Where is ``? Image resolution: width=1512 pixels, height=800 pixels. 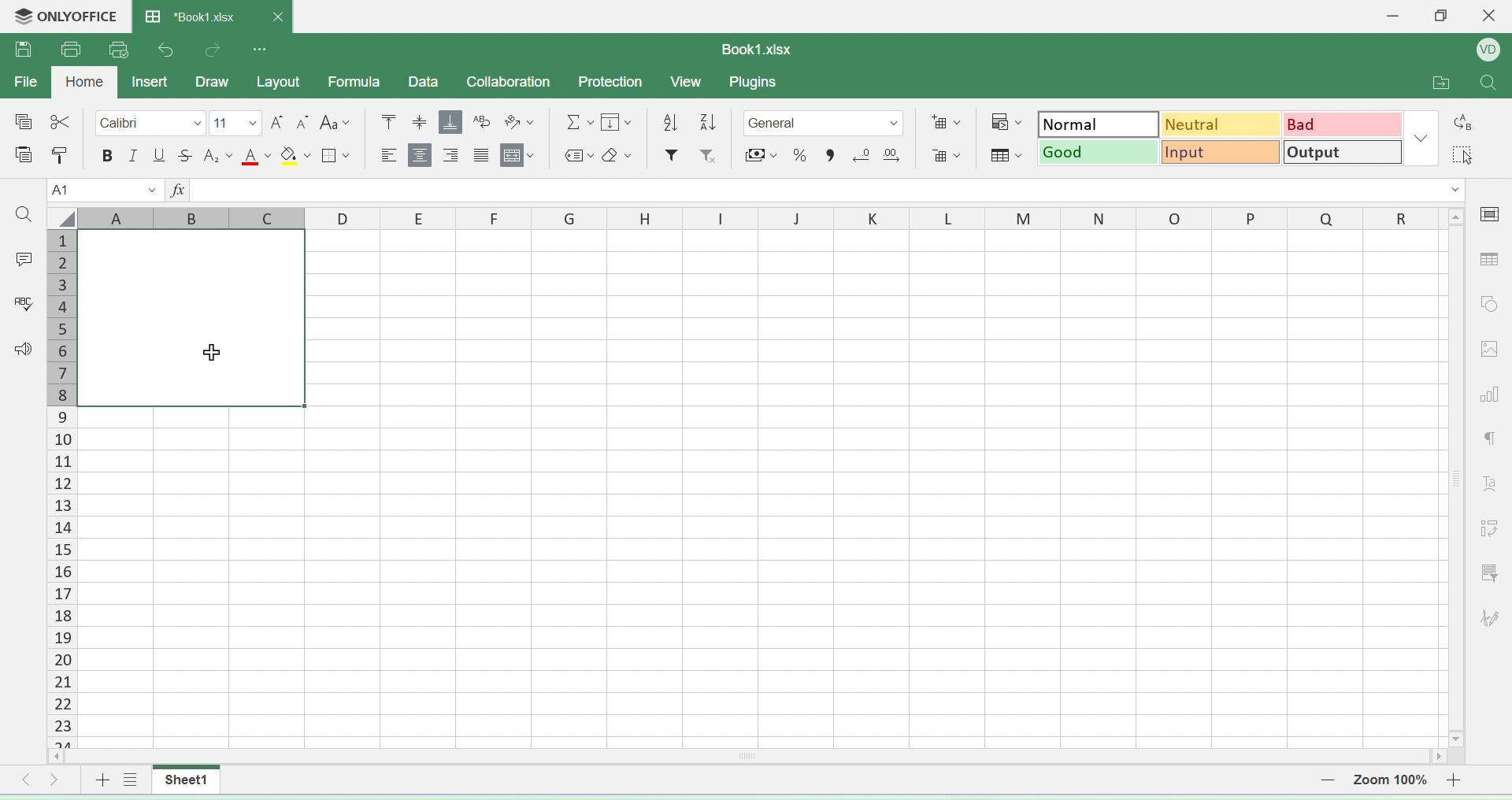
 is located at coordinates (761, 156).